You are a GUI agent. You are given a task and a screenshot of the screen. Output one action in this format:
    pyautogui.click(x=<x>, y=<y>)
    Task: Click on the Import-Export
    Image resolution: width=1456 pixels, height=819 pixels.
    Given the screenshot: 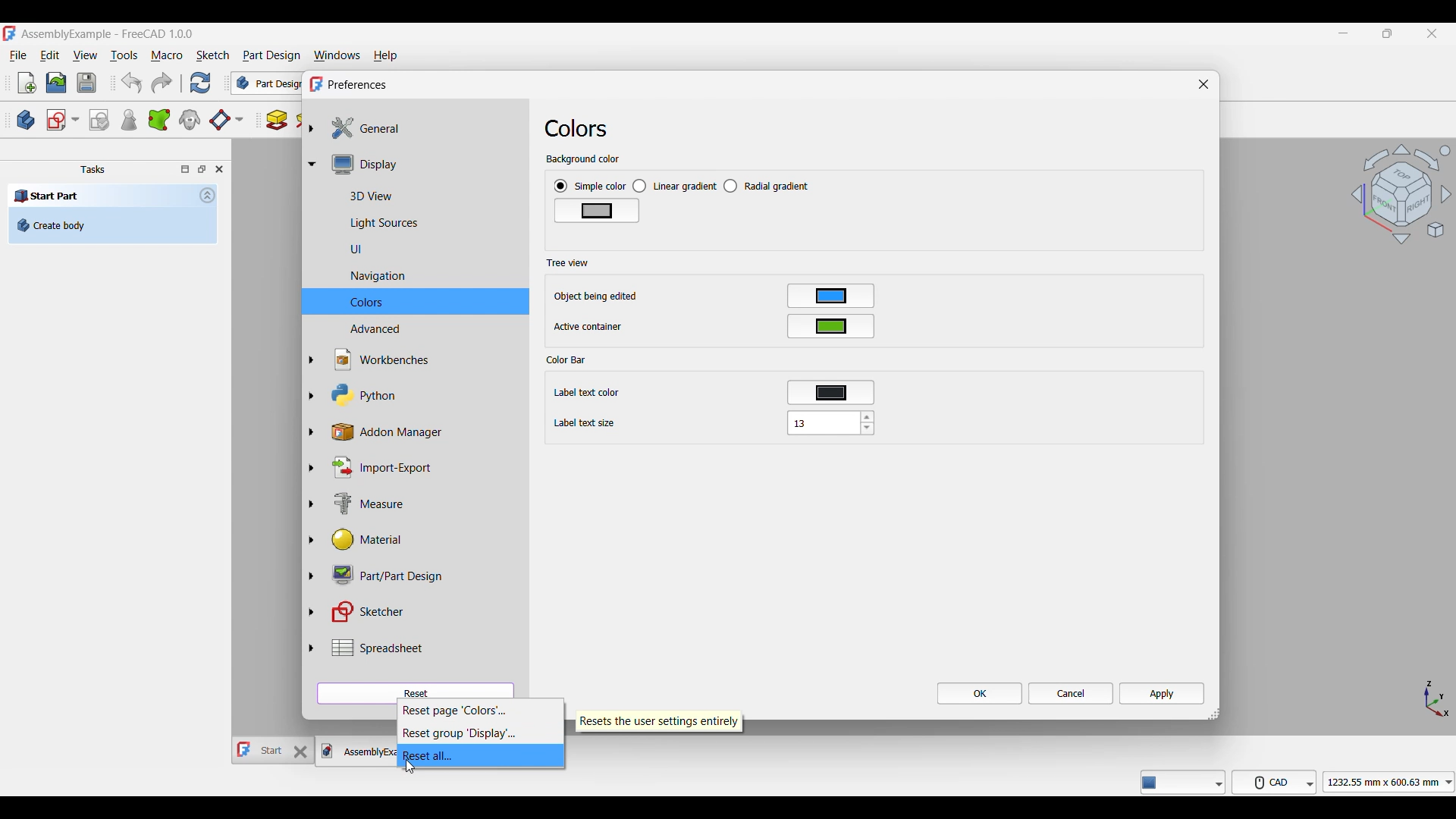 What is the action you would take?
    pyautogui.click(x=375, y=469)
    